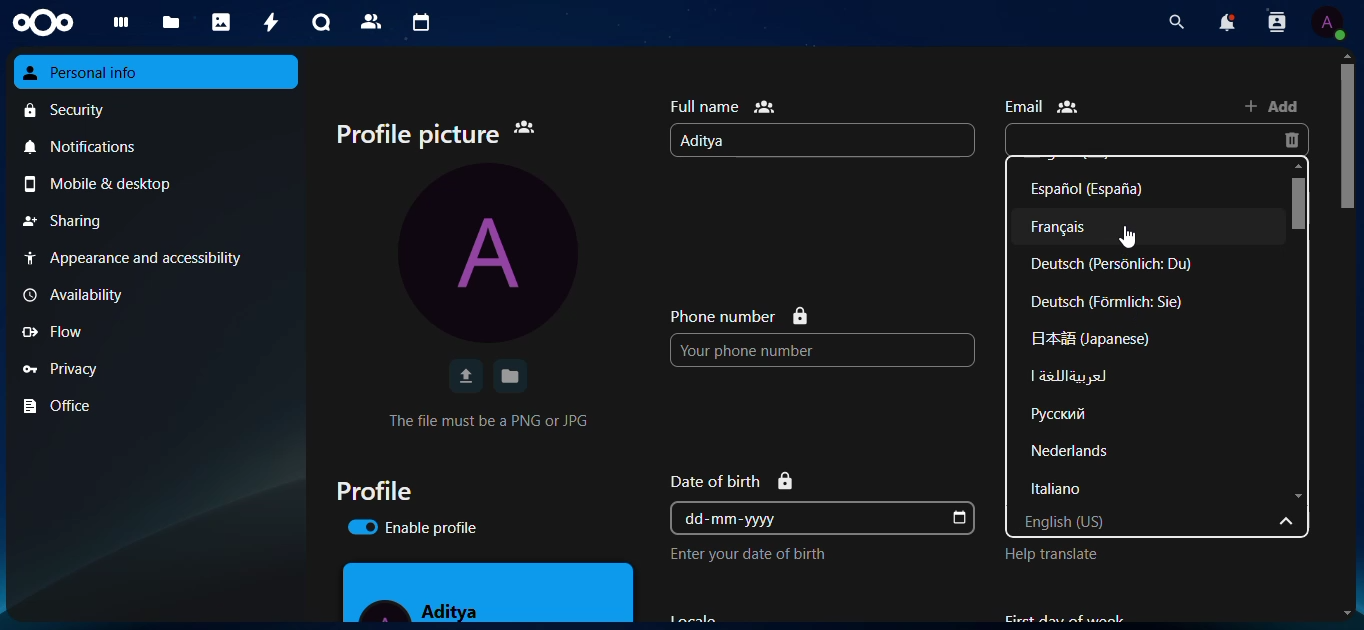 This screenshot has width=1364, height=630. Describe the element at coordinates (1296, 141) in the screenshot. I see `delete` at that location.